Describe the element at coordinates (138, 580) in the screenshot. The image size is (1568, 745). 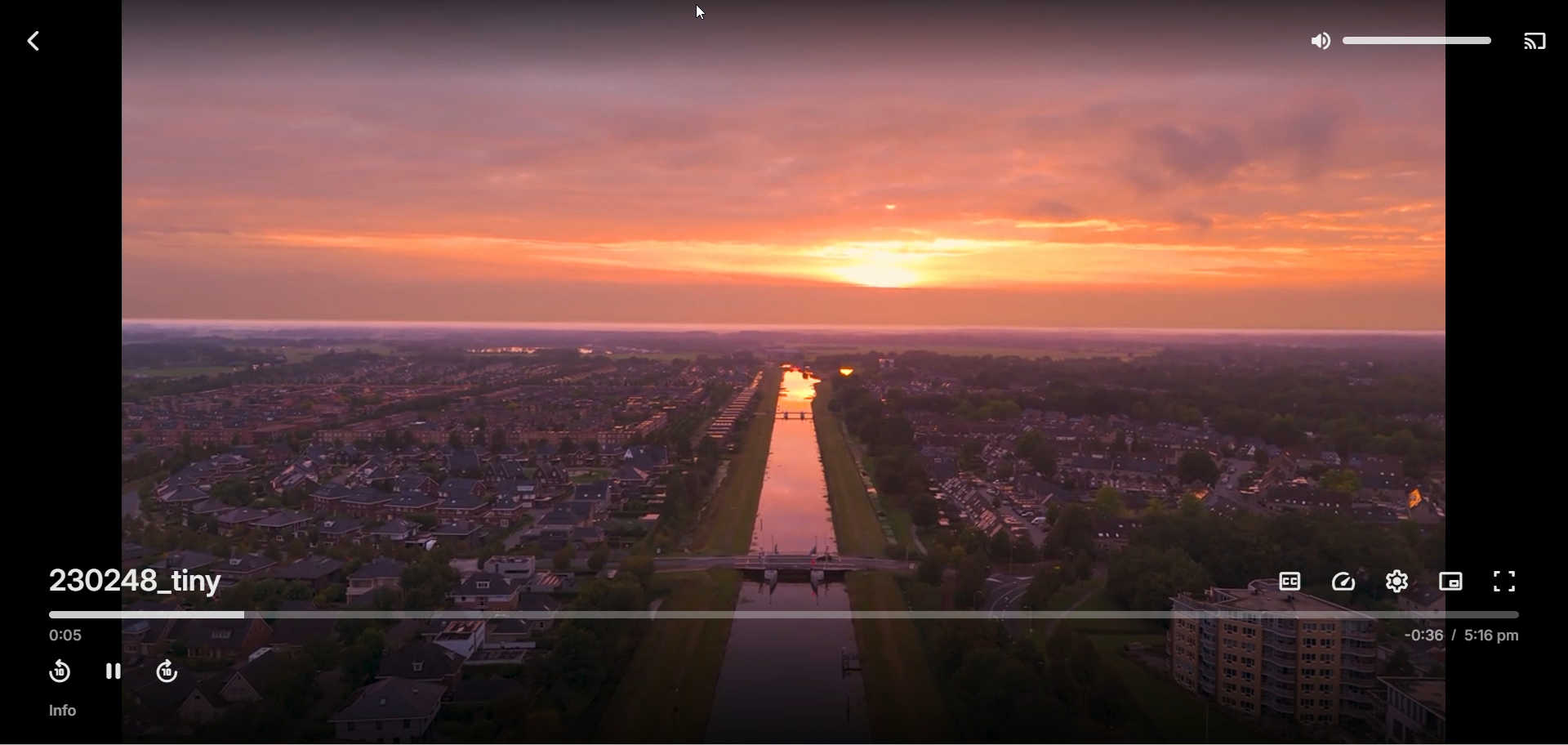
I see `230248_tiny` at that location.